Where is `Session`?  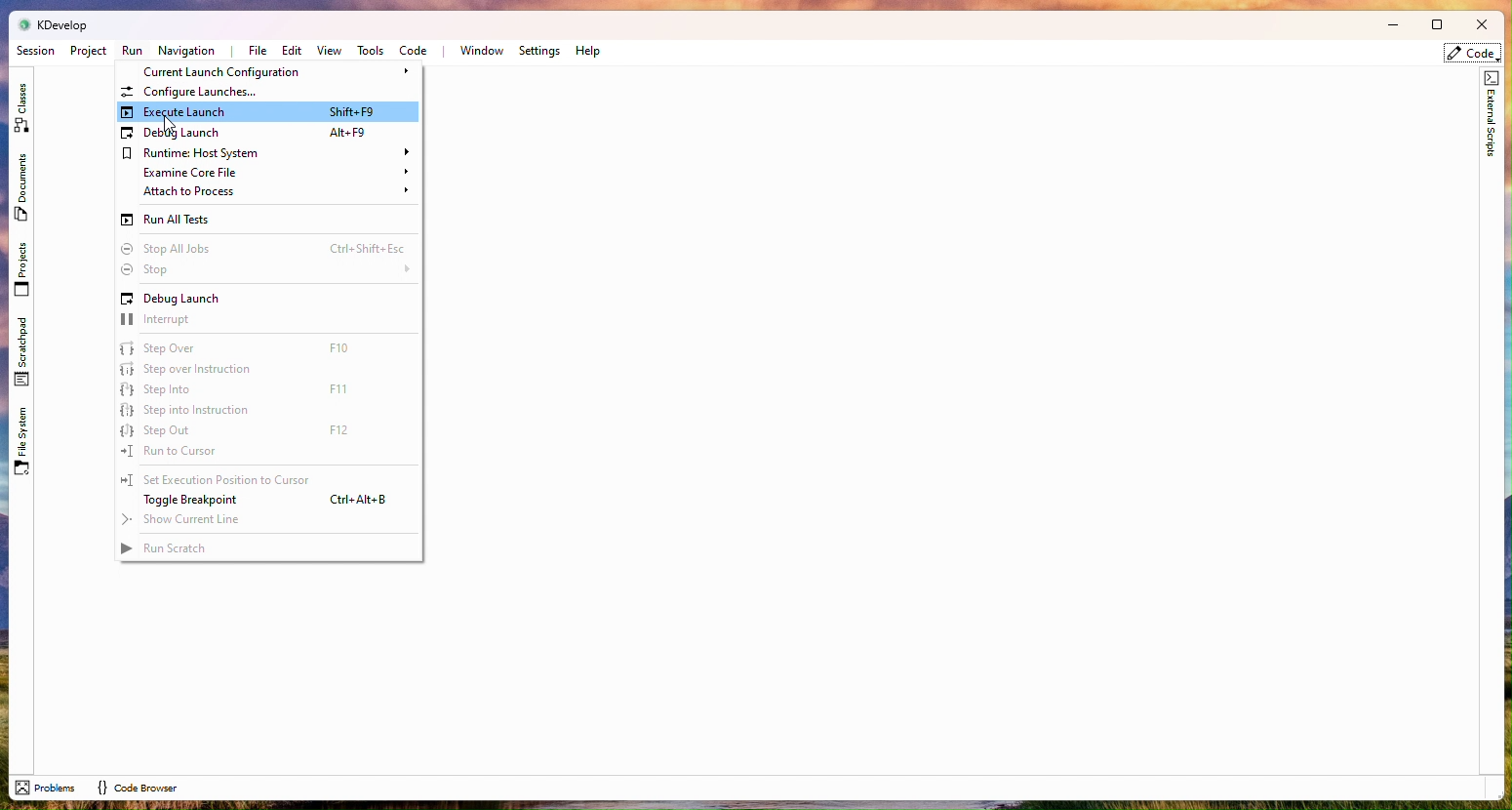
Session is located at coordinates (35, 51).